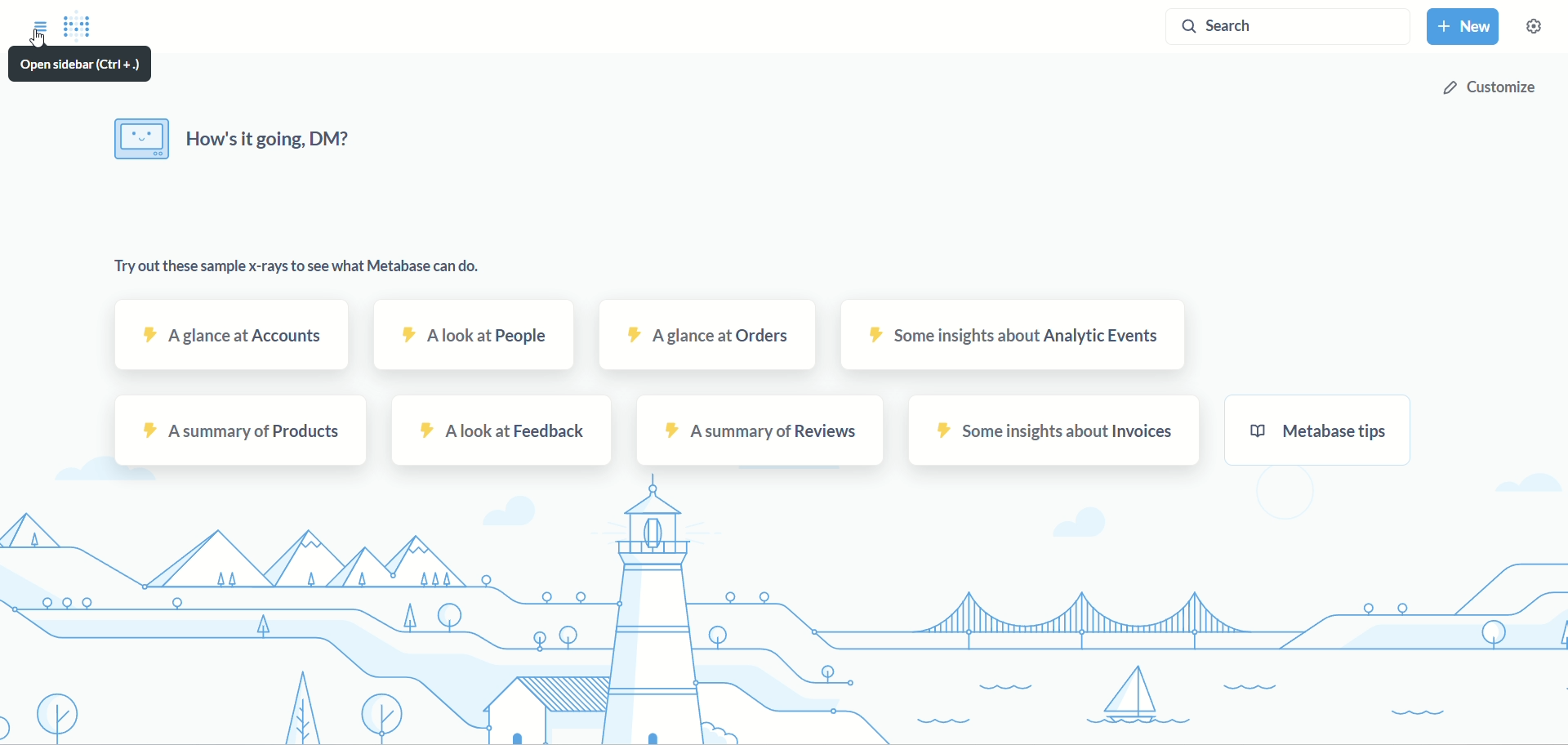 This screenshot has width=1568, height=745. I want to click on Try out these sample x-rays to see what Metabase can do., so click(297, 265).